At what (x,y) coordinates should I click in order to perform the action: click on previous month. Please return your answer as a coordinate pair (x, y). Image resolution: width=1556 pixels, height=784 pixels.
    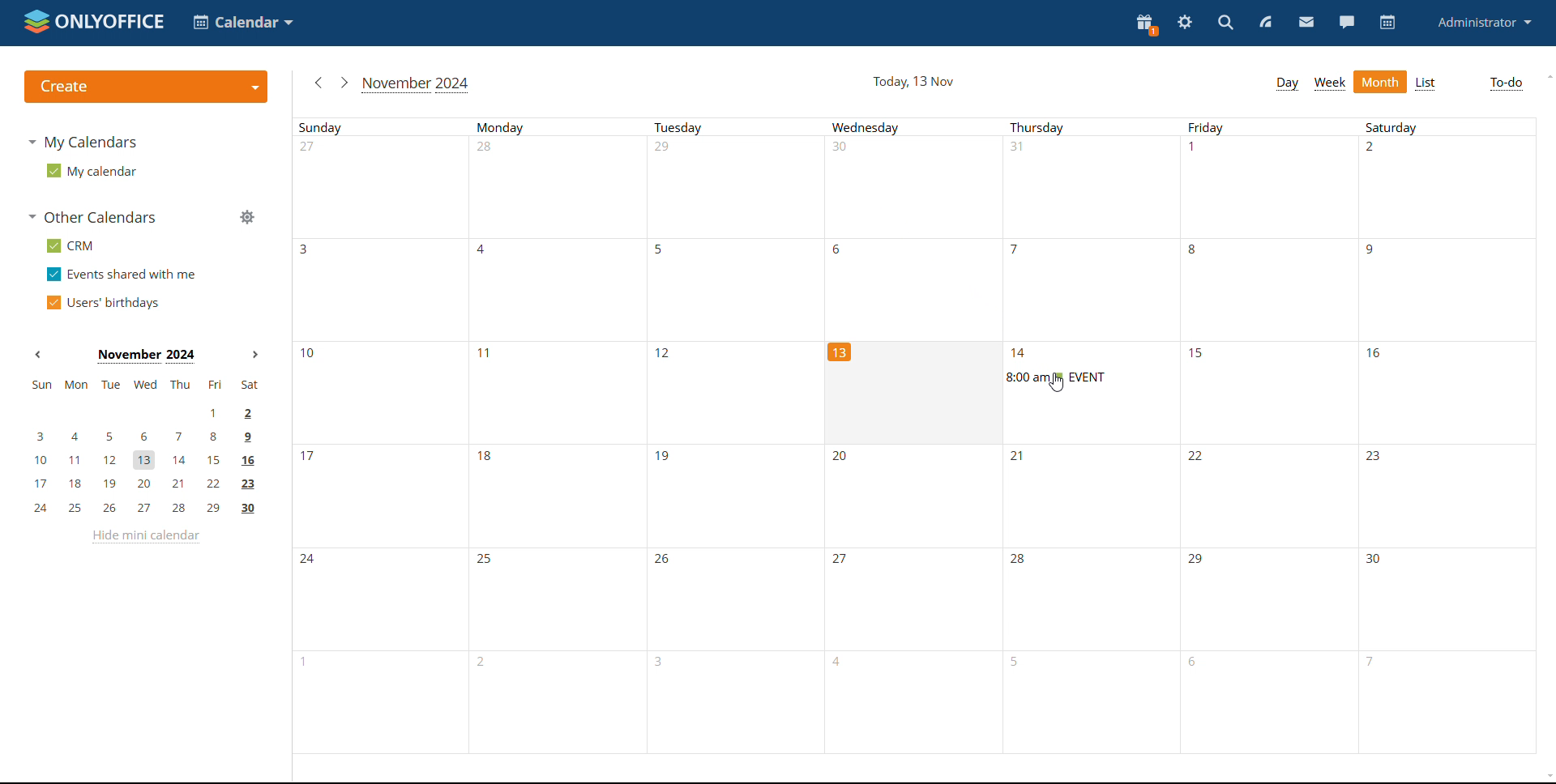
    Looking at the image, I should click on (315, 81).